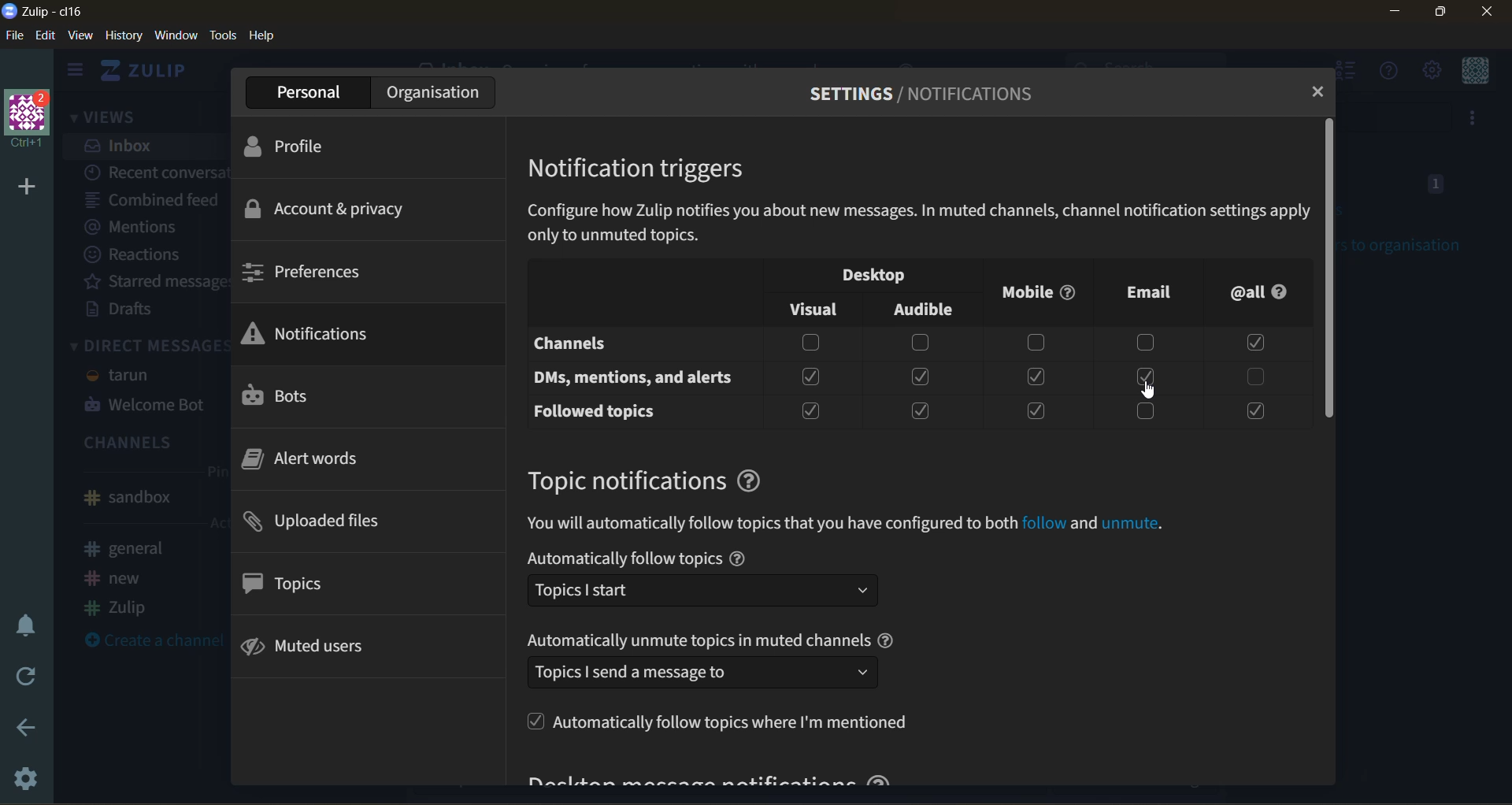  What do you see at coordinates (122, 37) in the screenshot?
I see `history` at bounding box center [122, 37].